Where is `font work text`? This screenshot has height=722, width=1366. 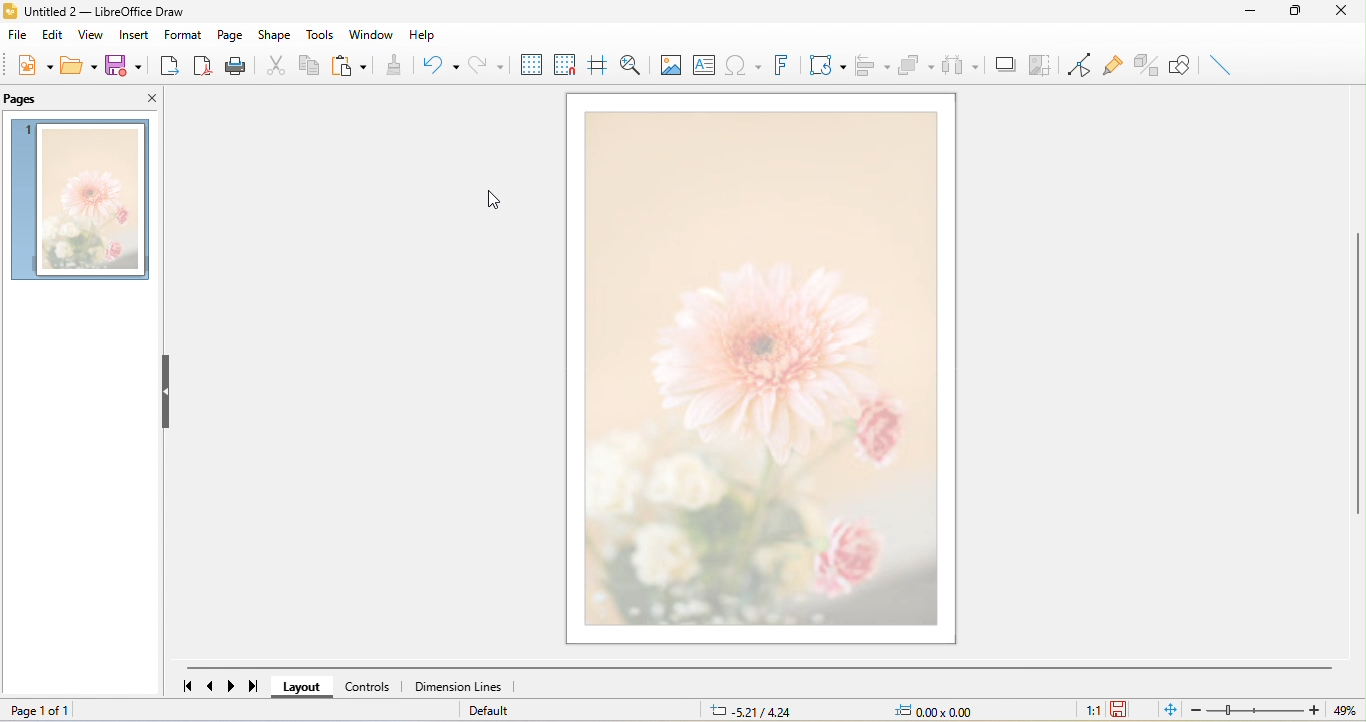
font work text is located at coordinates (780, 64).